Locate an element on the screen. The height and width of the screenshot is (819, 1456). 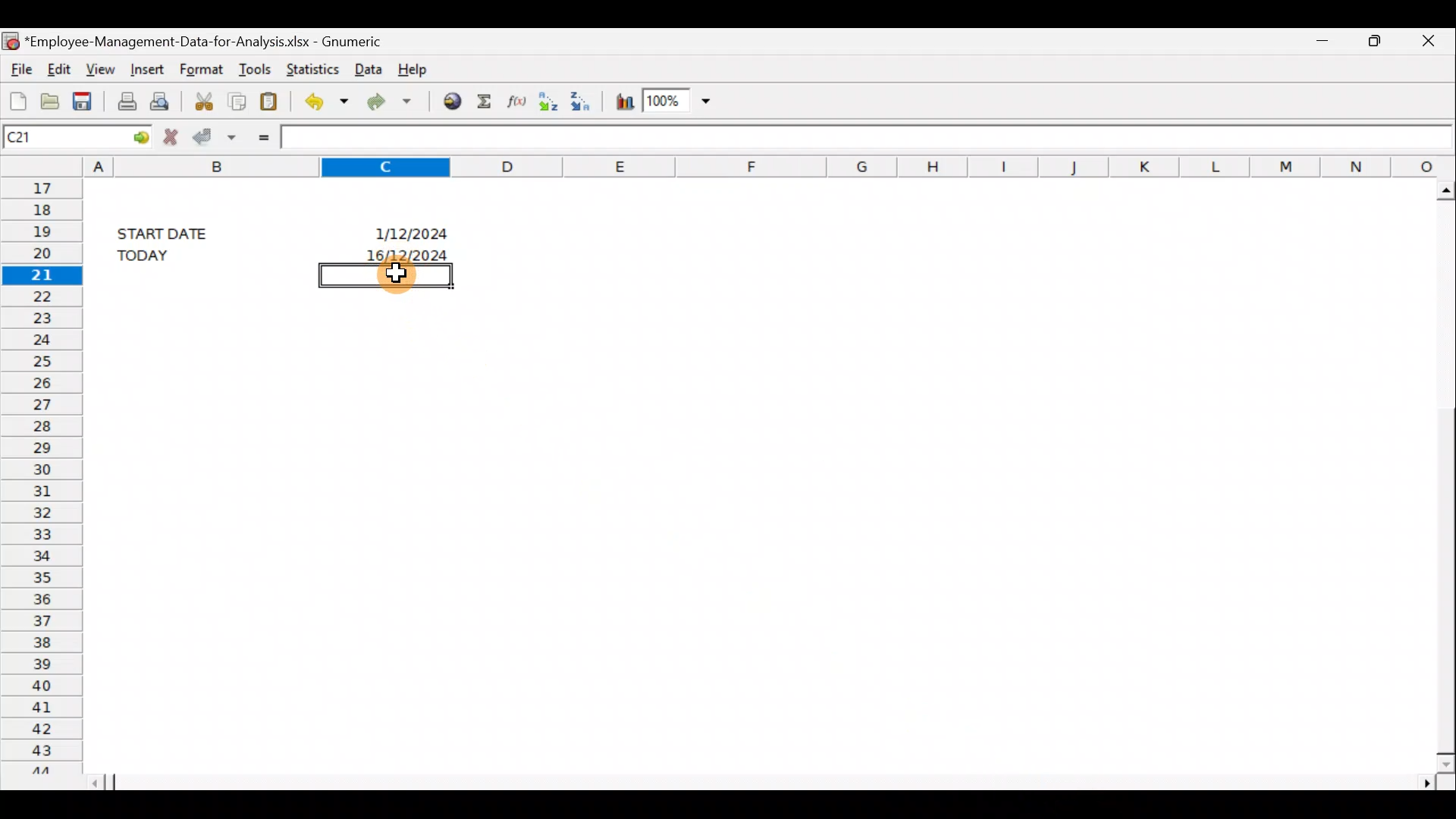
Enter formula is located at coordinates (260, 136).